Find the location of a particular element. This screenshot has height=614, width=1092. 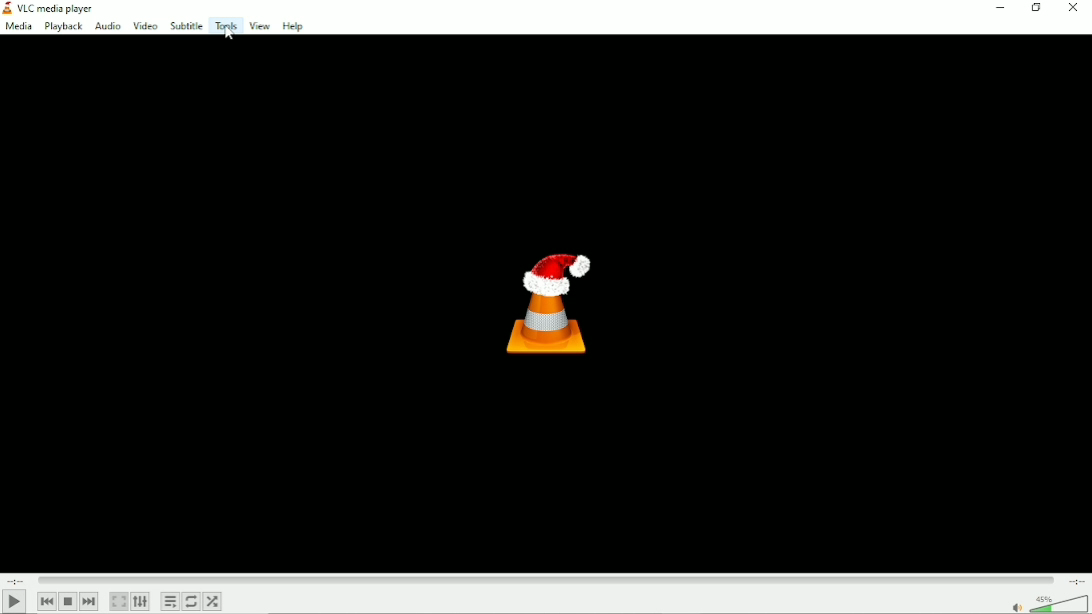

Toggle video in fullscreen is located at coordinates (120, 601).